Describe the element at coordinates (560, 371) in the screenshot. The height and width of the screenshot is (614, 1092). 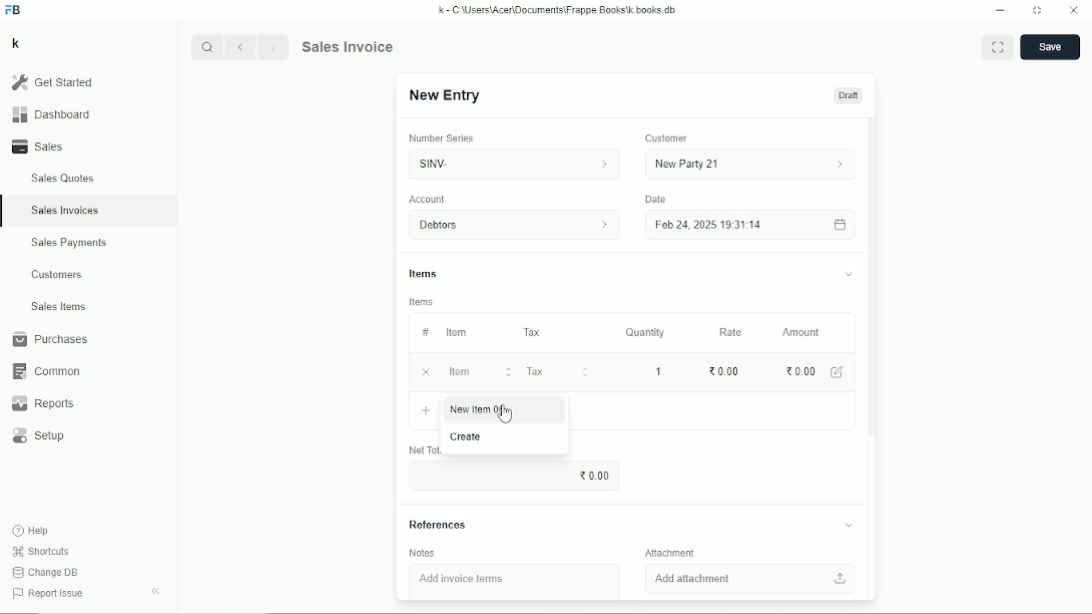
I see `Tax` at that location.